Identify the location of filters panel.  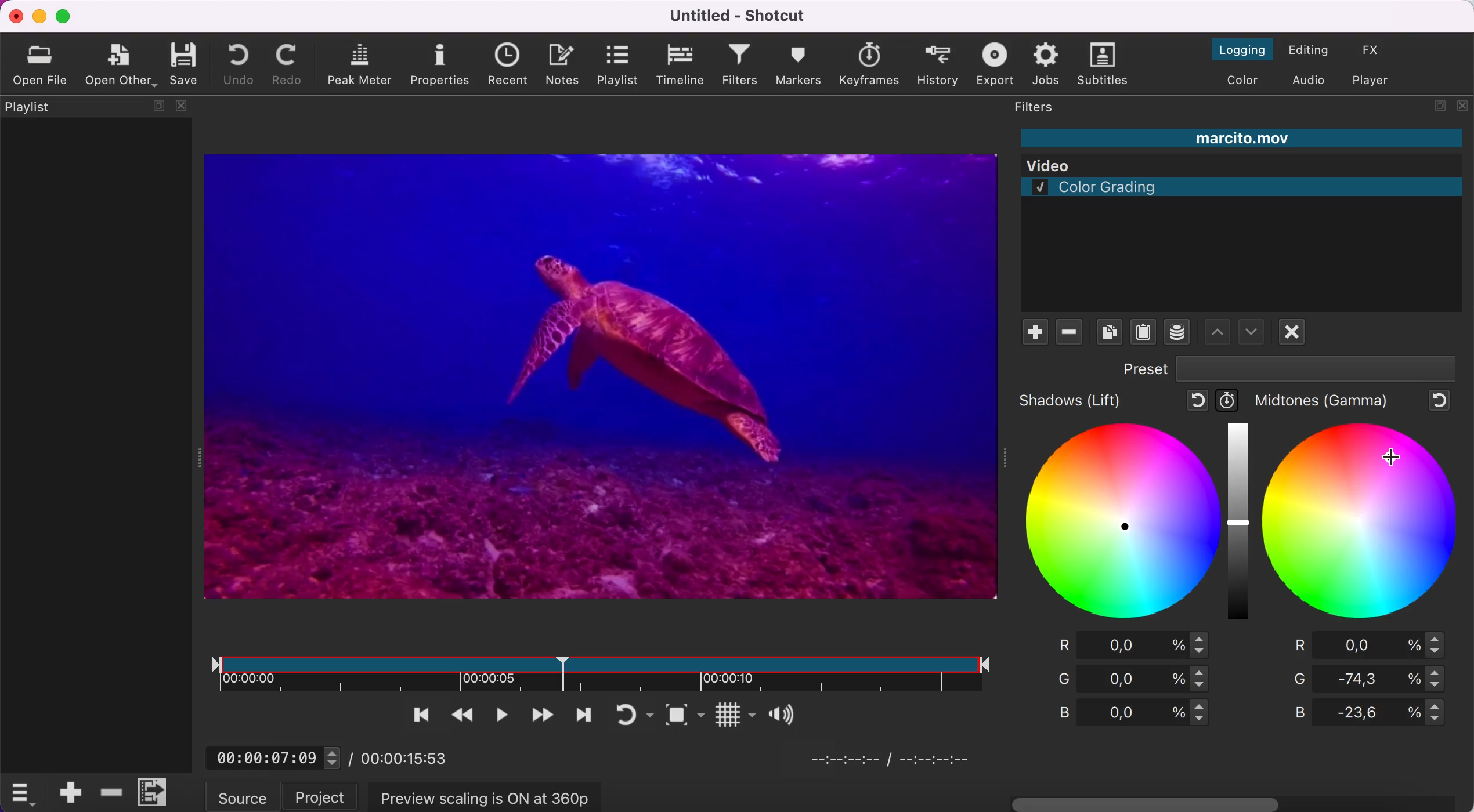
(1045, 108).